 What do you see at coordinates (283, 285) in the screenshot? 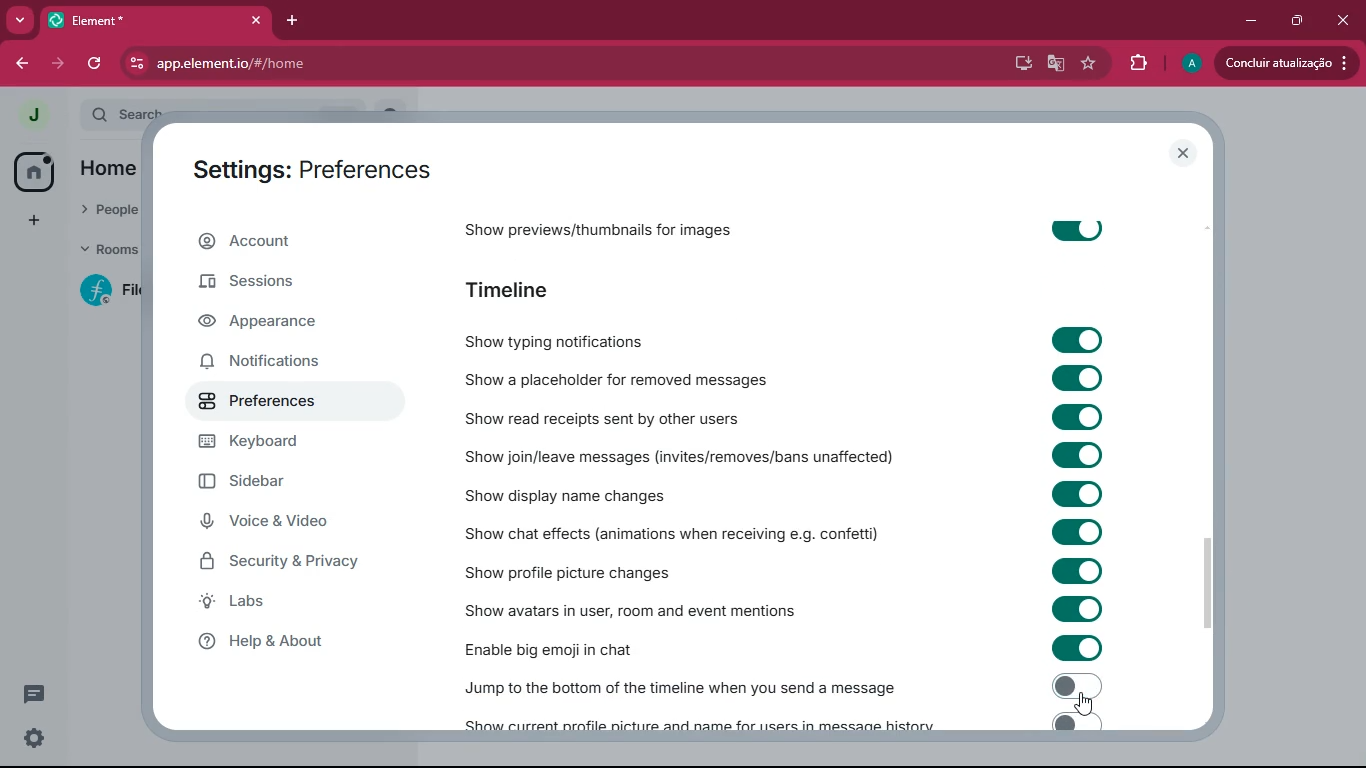
I see `sessions` at bounding box center [283, 285].